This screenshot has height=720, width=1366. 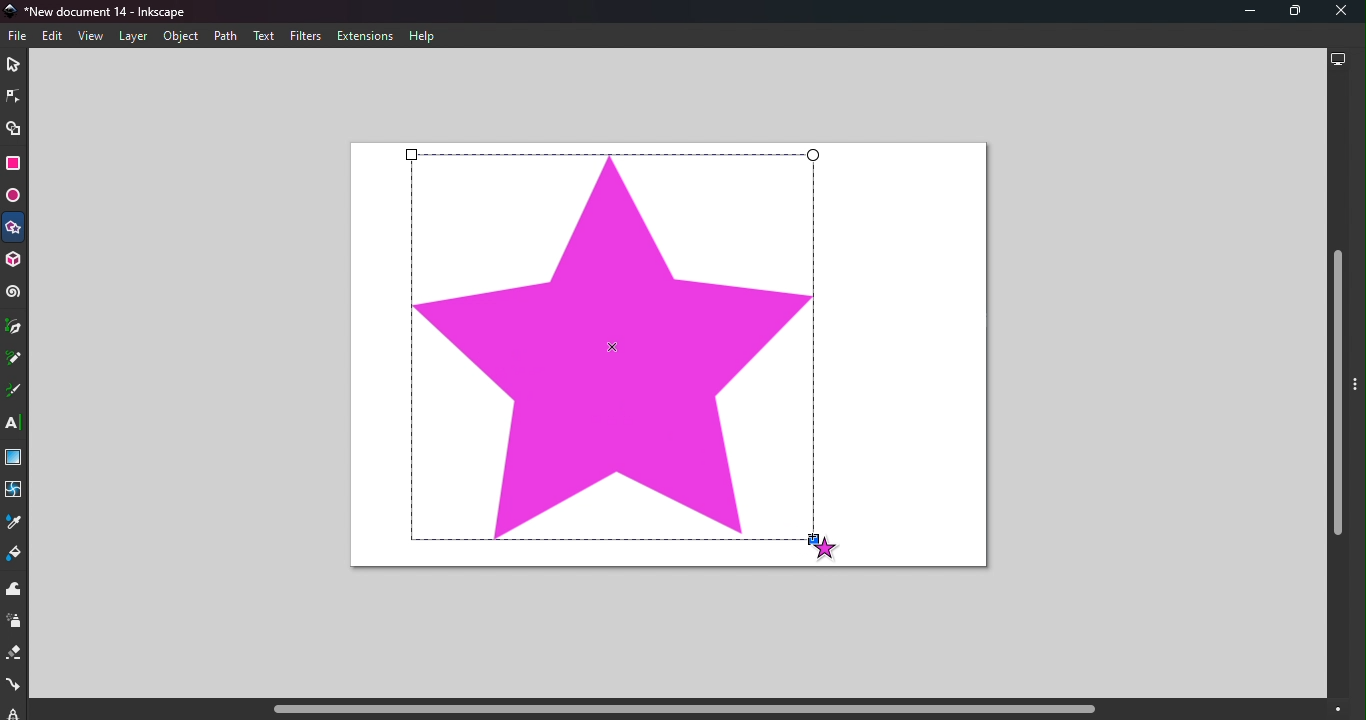 I want to click on Pen tool, so click(x=15, y=327).